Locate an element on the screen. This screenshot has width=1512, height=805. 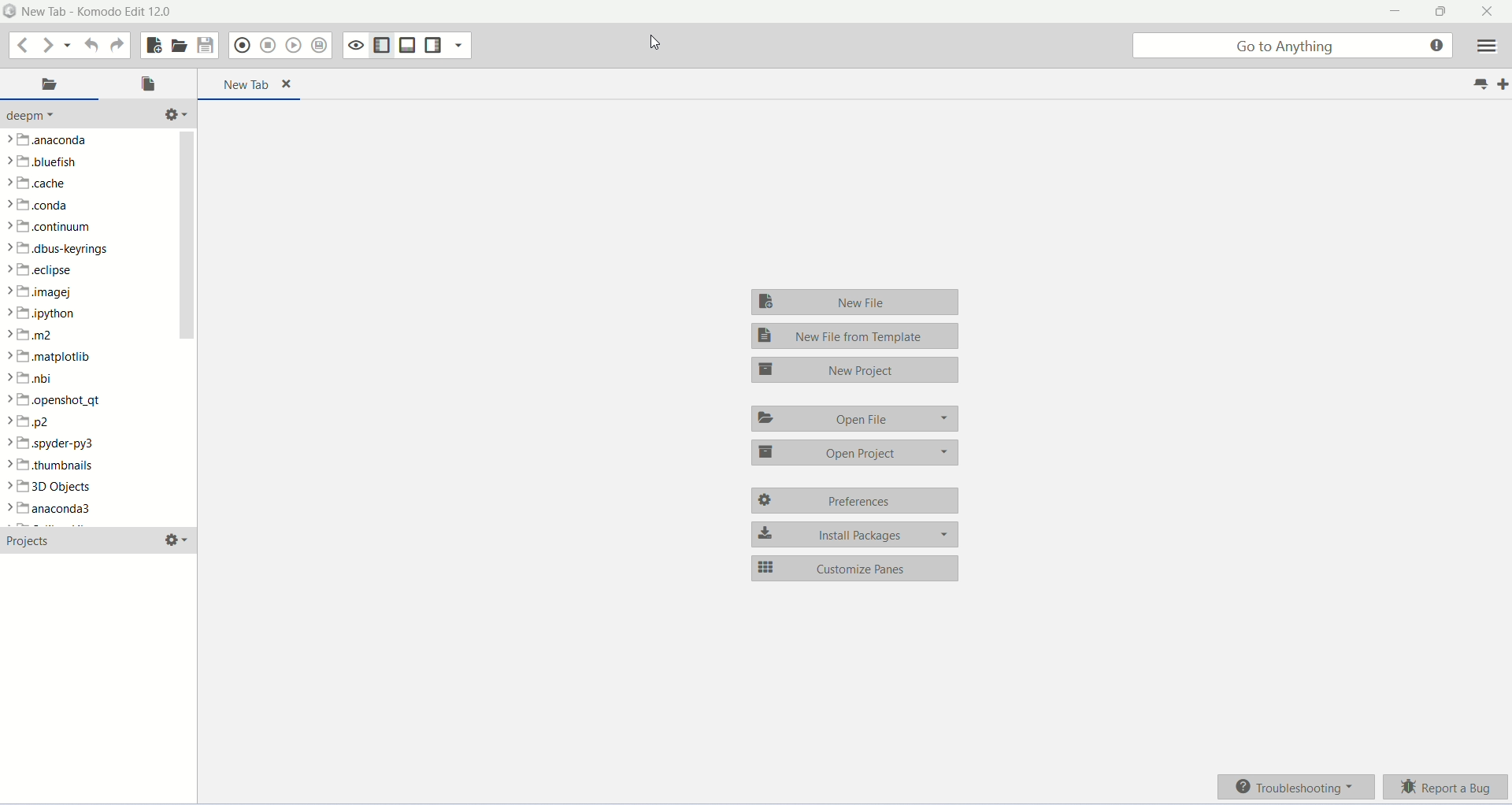
menu is located at coordinates (1492, 46).